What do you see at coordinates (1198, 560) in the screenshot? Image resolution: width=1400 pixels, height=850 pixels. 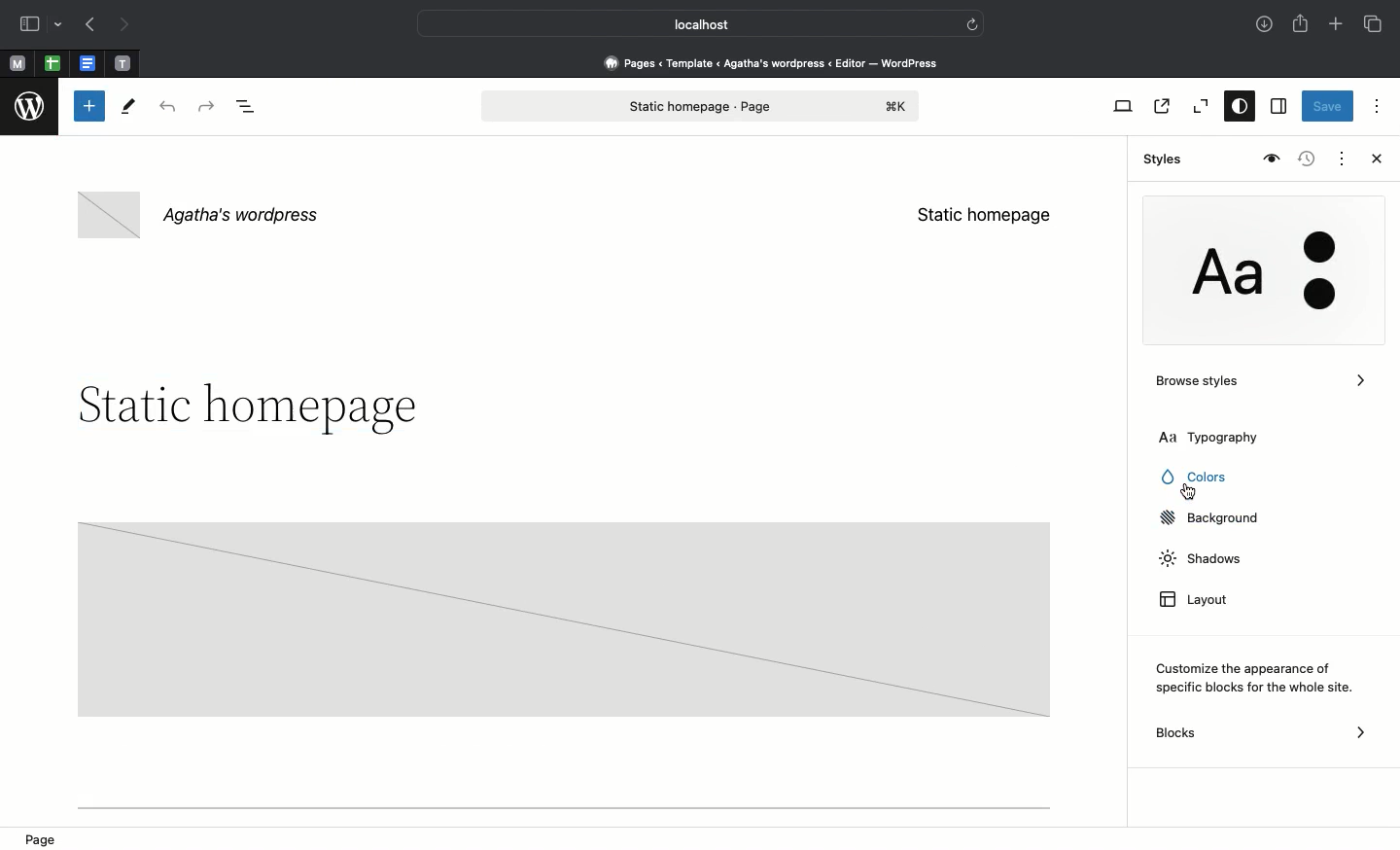 I see `Shadows` at bounding box center [1198, 560].